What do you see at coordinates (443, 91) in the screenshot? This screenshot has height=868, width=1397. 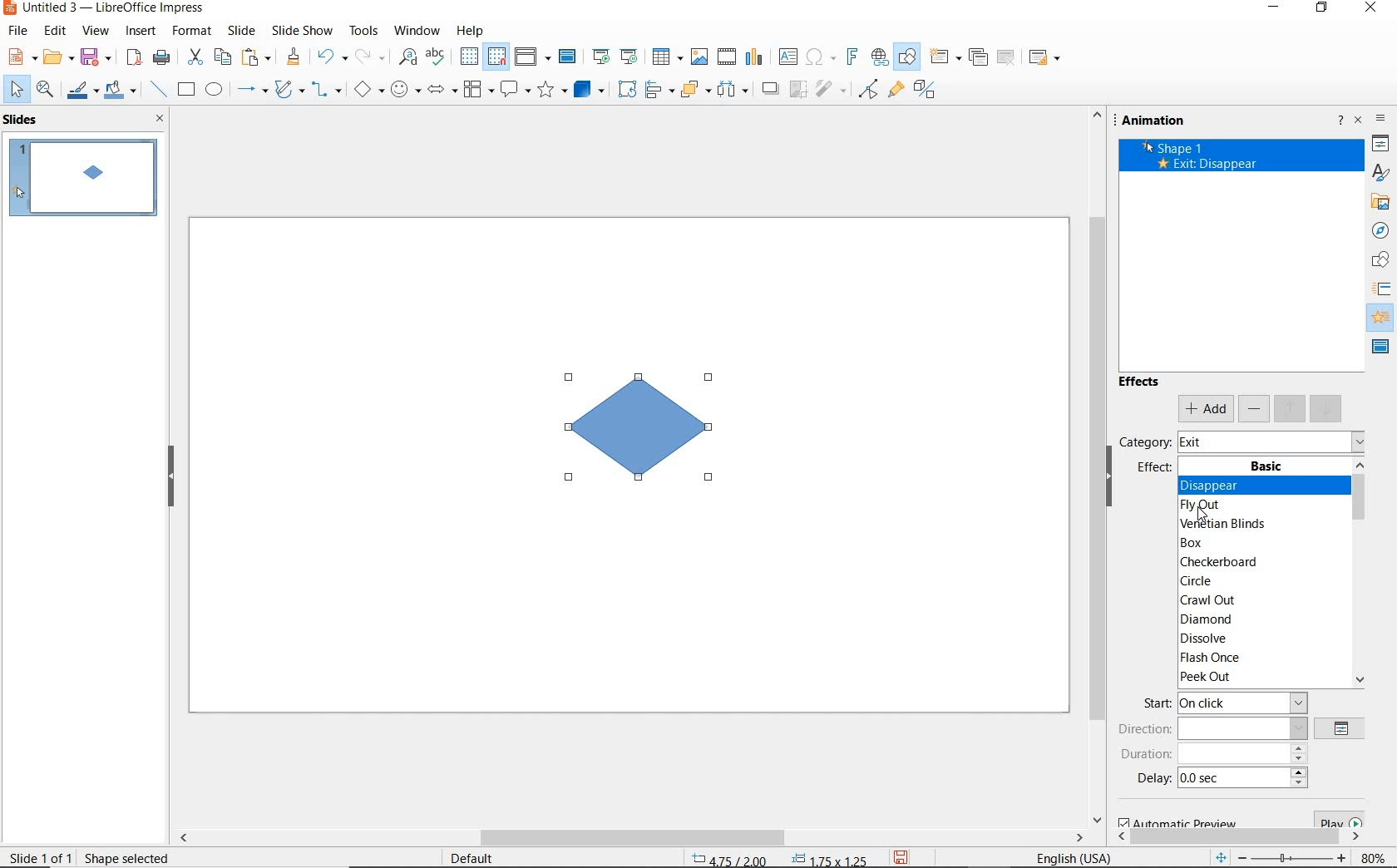 I see `block arrows` at bounding box center [443, 91].